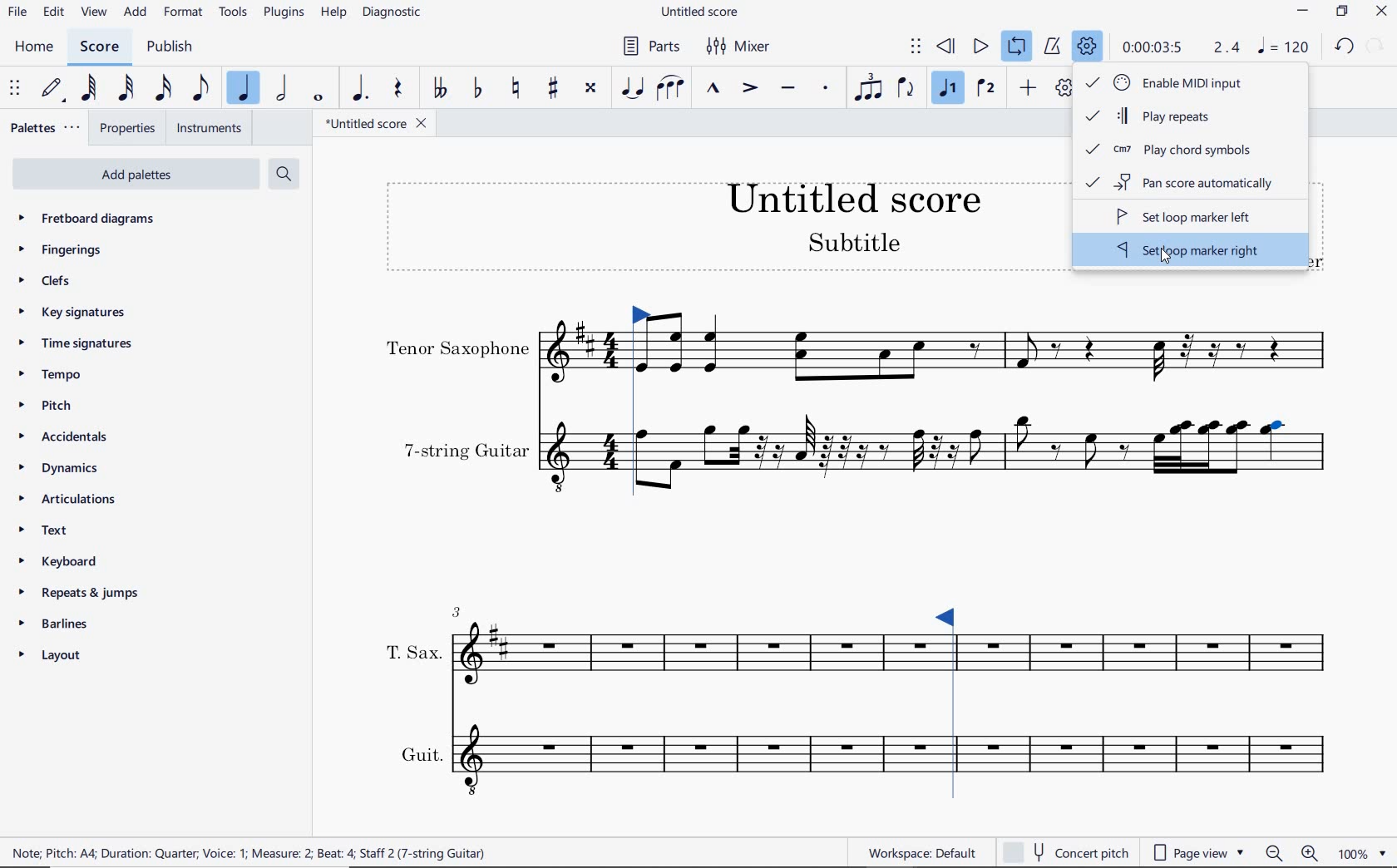  What do you see at coordinates (244, 88) in the screenshot?
I see `QUARTER NOTE` at bounding box center [244, 88].